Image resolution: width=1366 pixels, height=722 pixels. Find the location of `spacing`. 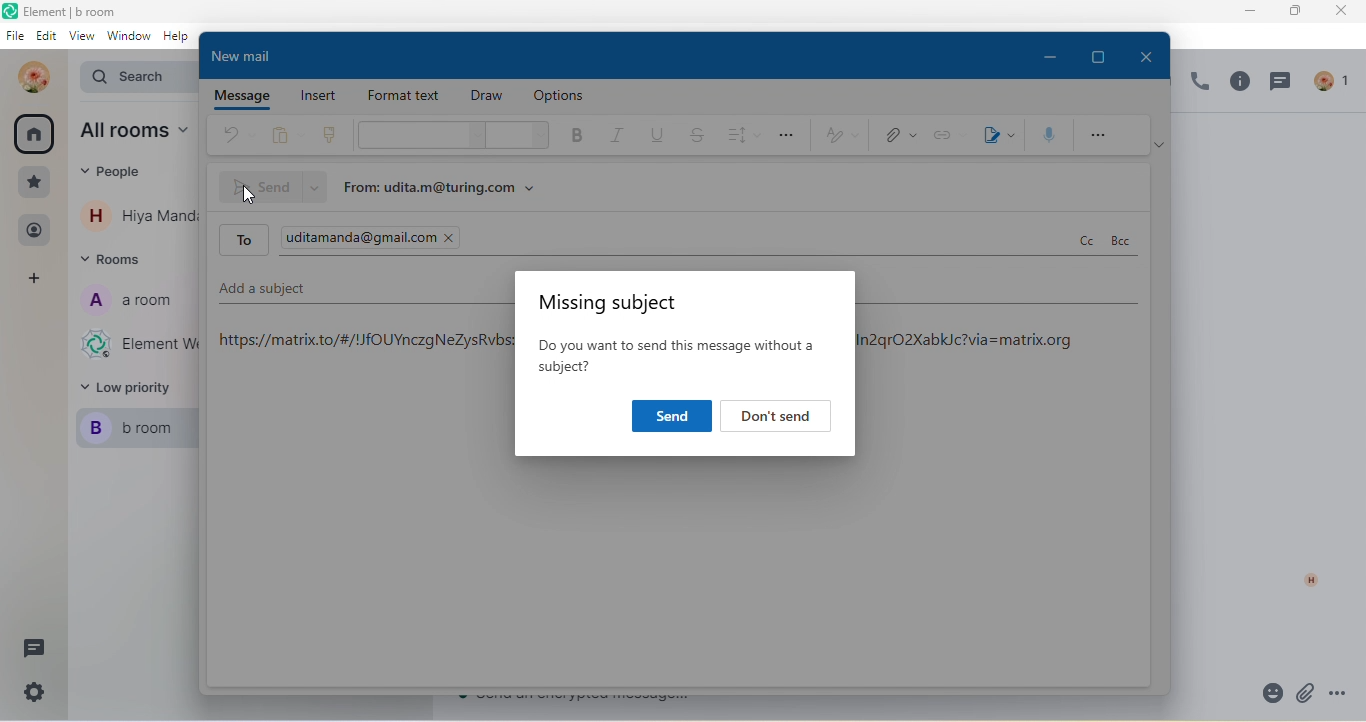

spacing is located at coordinates (742, 135).